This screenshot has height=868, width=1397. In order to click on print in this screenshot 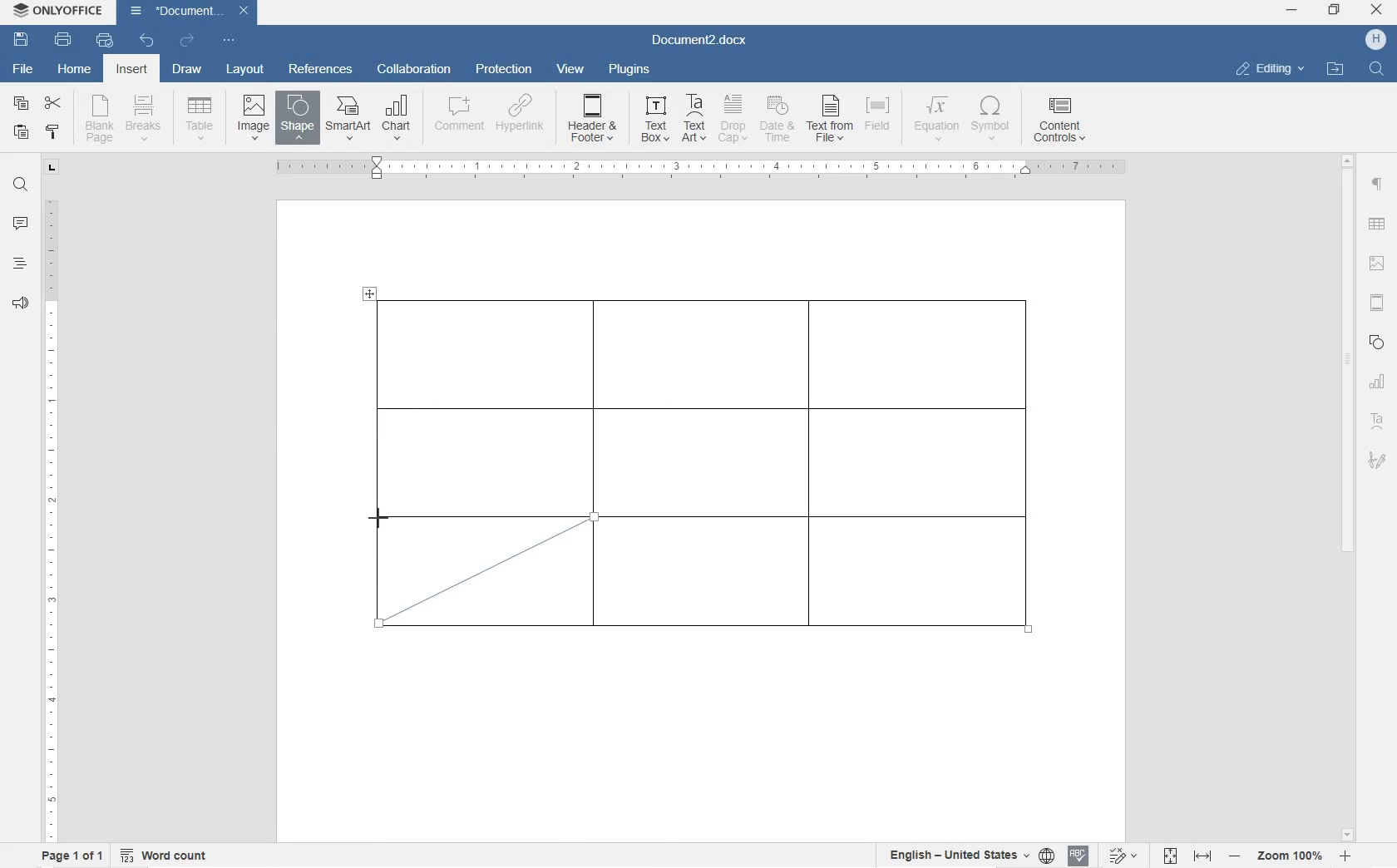, I will do `click(64, 39)`.